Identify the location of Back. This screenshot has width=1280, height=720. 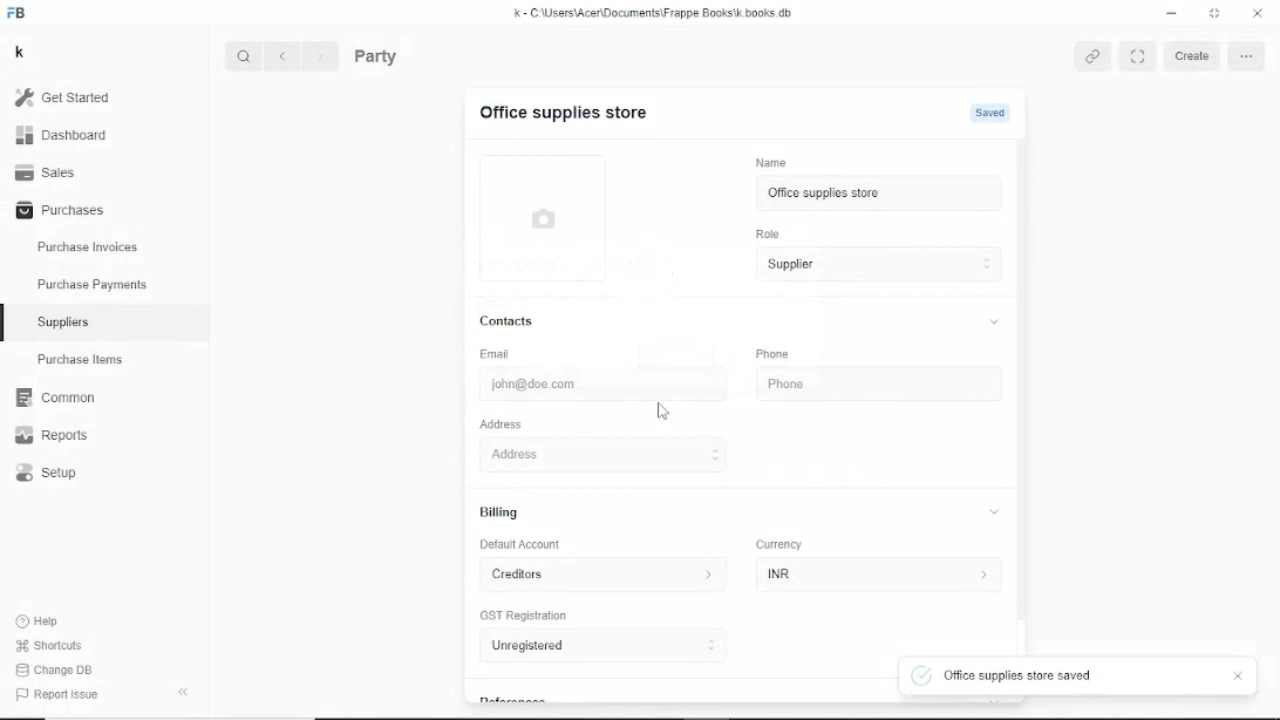
(286, 56).